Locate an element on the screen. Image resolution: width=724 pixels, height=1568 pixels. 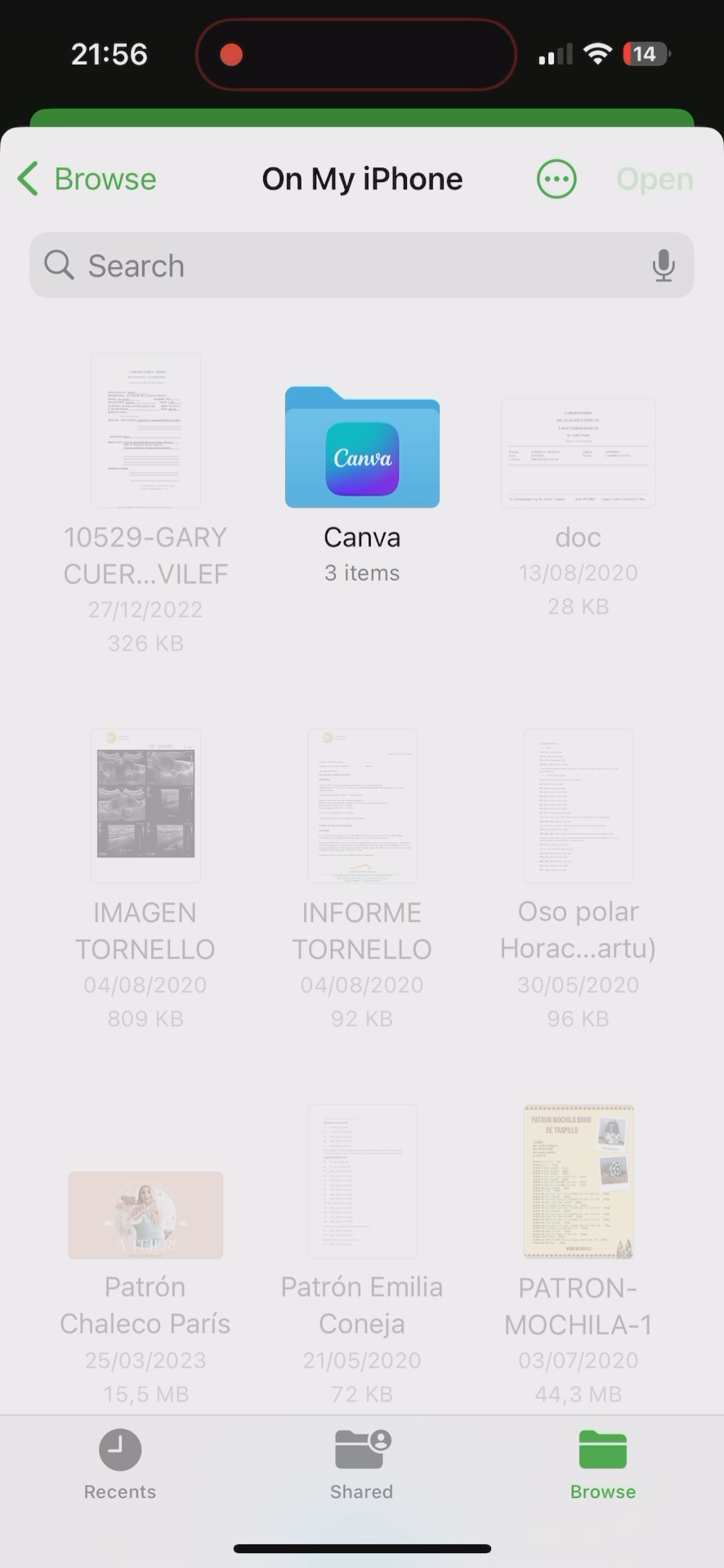
voice search is located at coordinates (671, 262).